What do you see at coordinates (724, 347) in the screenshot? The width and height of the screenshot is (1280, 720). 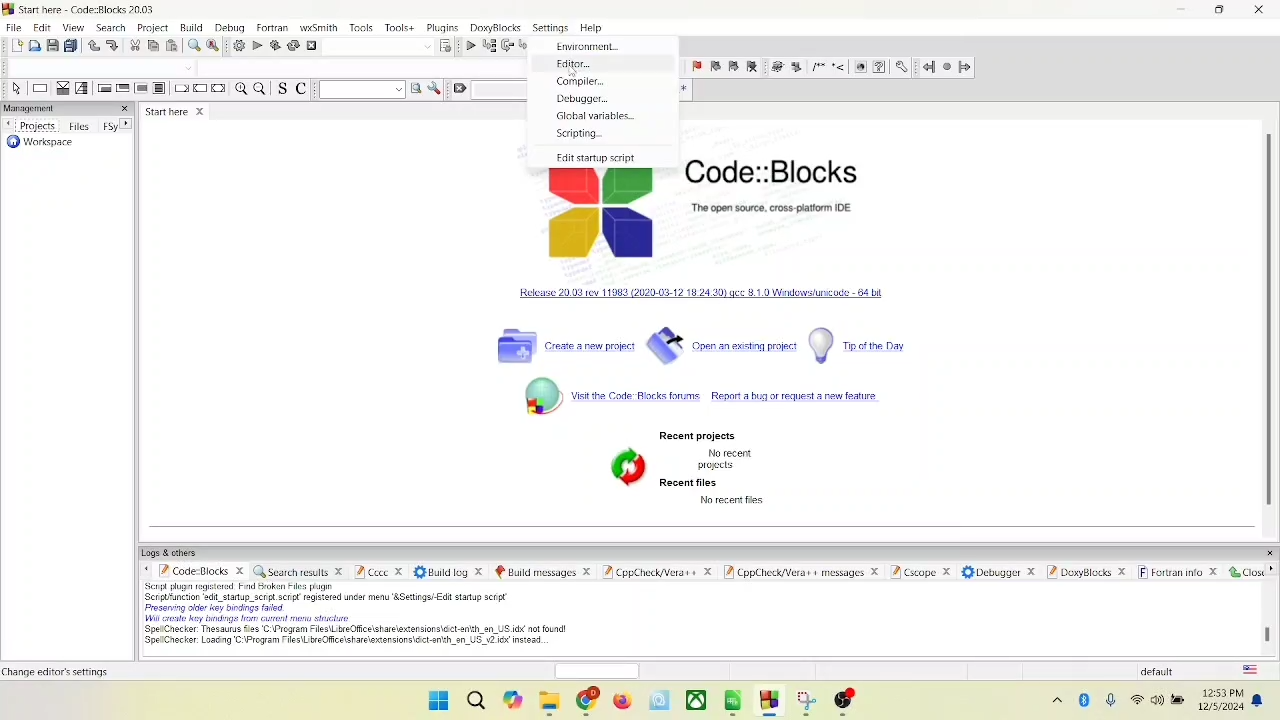 I see `open an existing file` at bounding box center [724, 347].